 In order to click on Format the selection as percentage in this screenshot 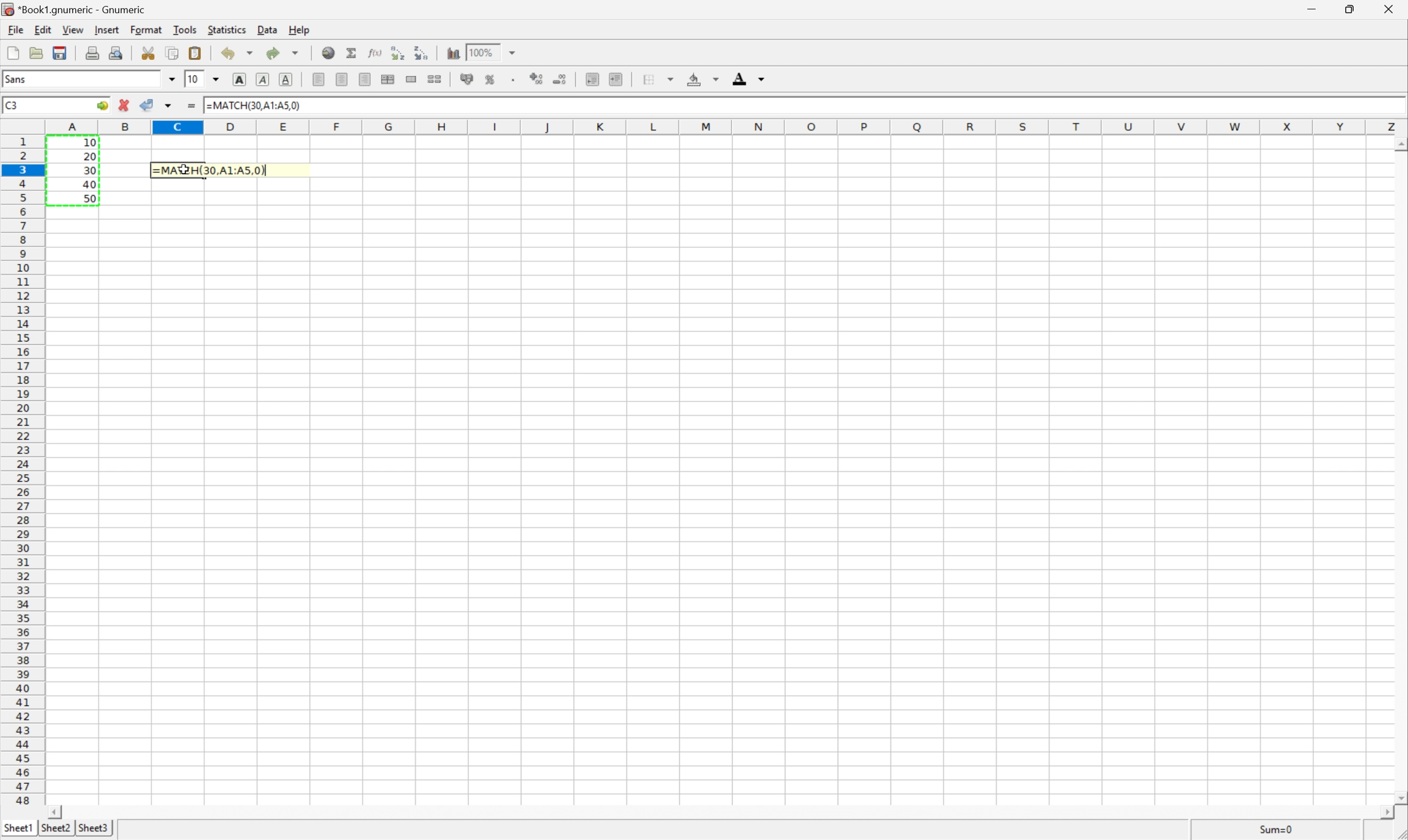, I will do `click(490, 77)`.